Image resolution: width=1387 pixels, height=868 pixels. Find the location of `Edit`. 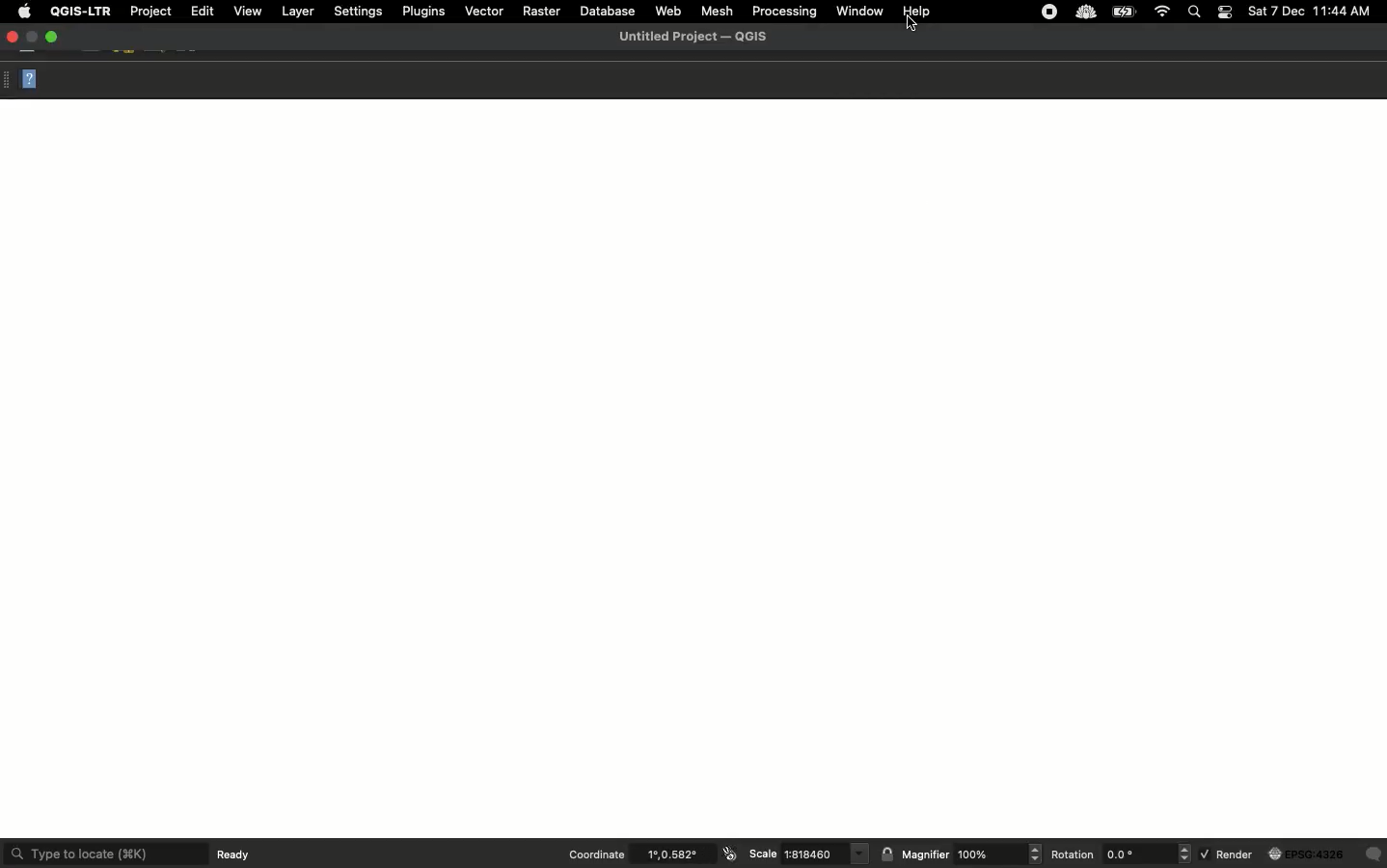

Edit is located at coordinates (202, 11).